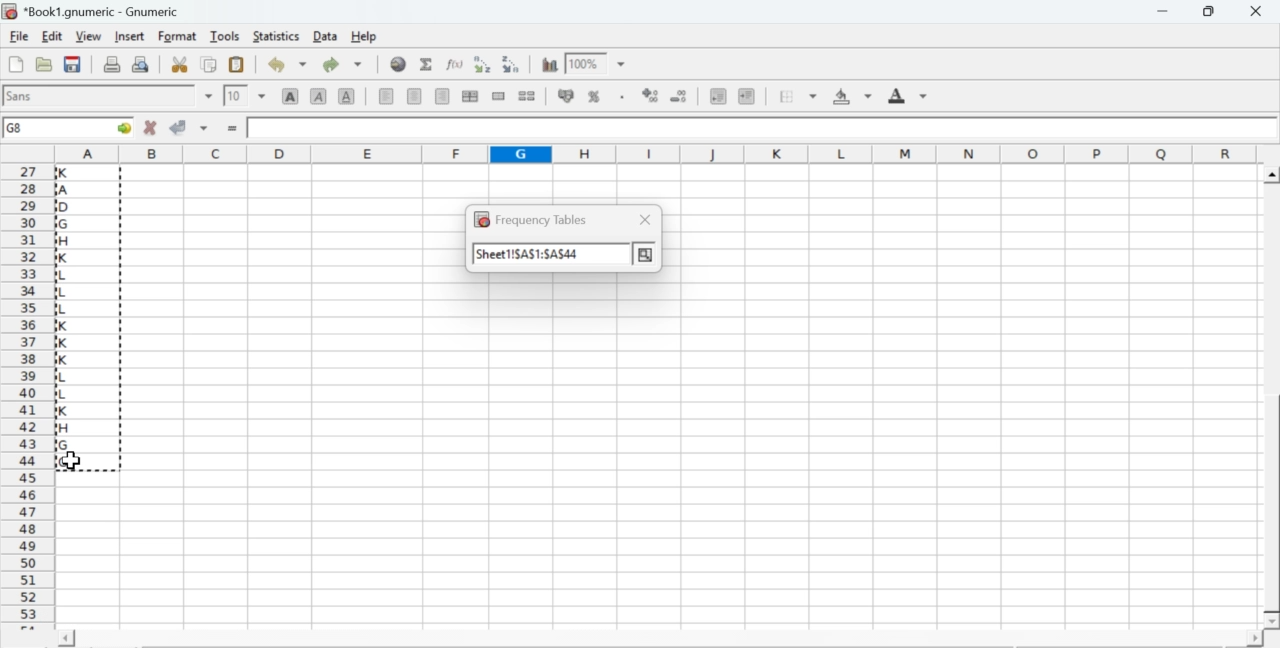 This screenshot has height=648, width=1280. I want to click on save current workbook, so click(73, 64).